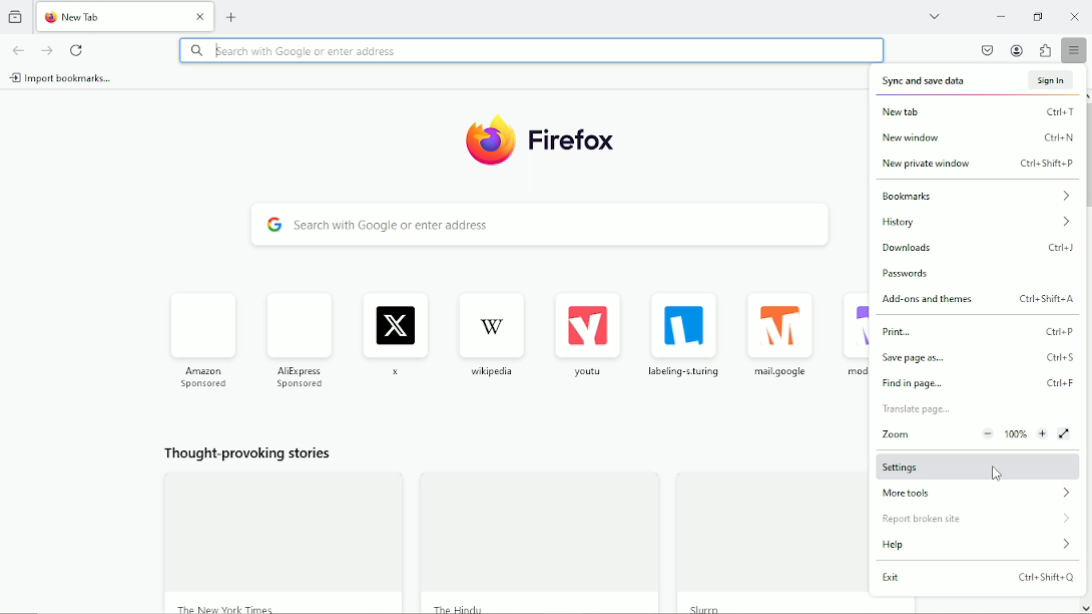 The height and width of the screenshot is (614, 1092). Describe the element at coordinates (1041, 17) in the screenshot. I see `Restore down` at that location.